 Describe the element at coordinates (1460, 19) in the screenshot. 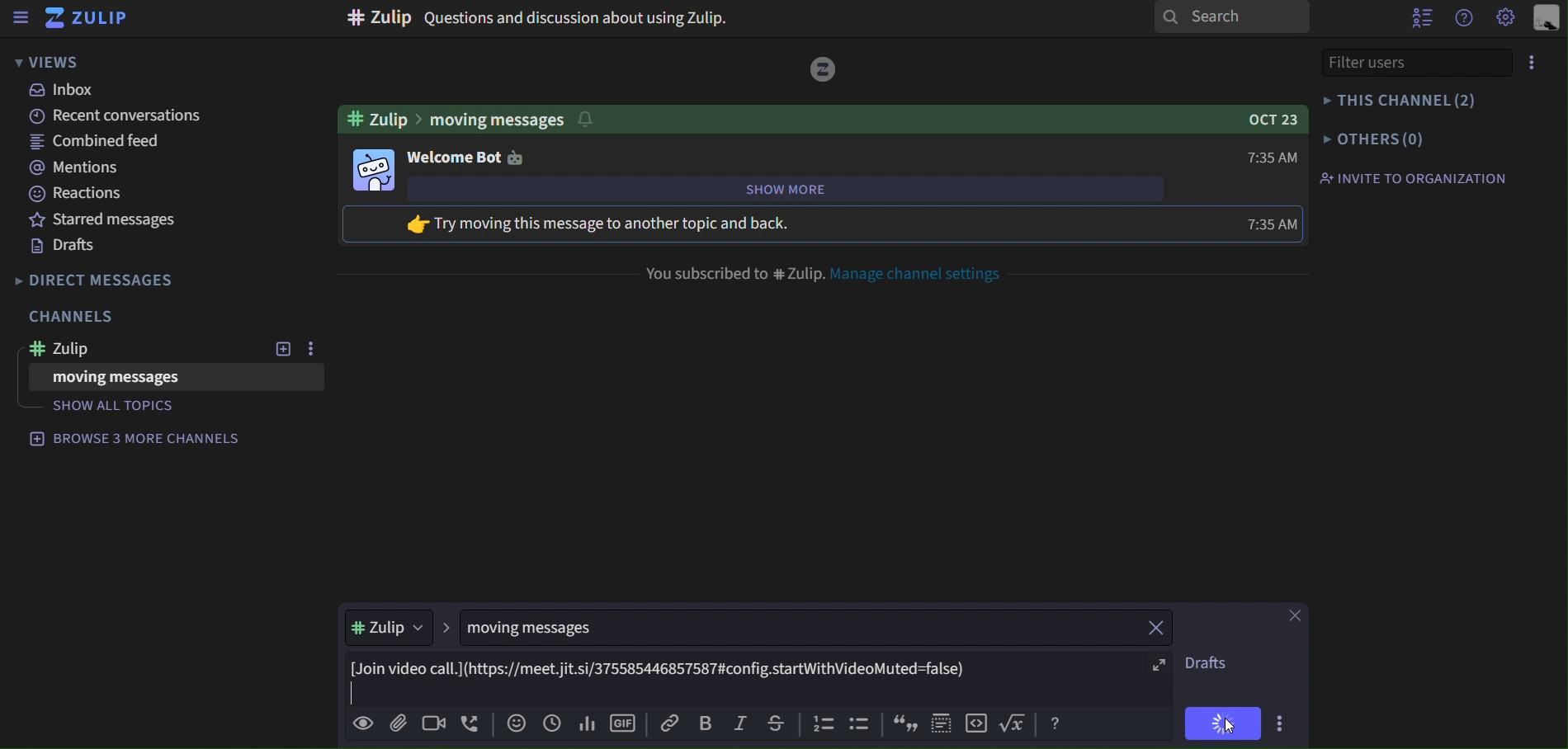

I see `help` at that location.